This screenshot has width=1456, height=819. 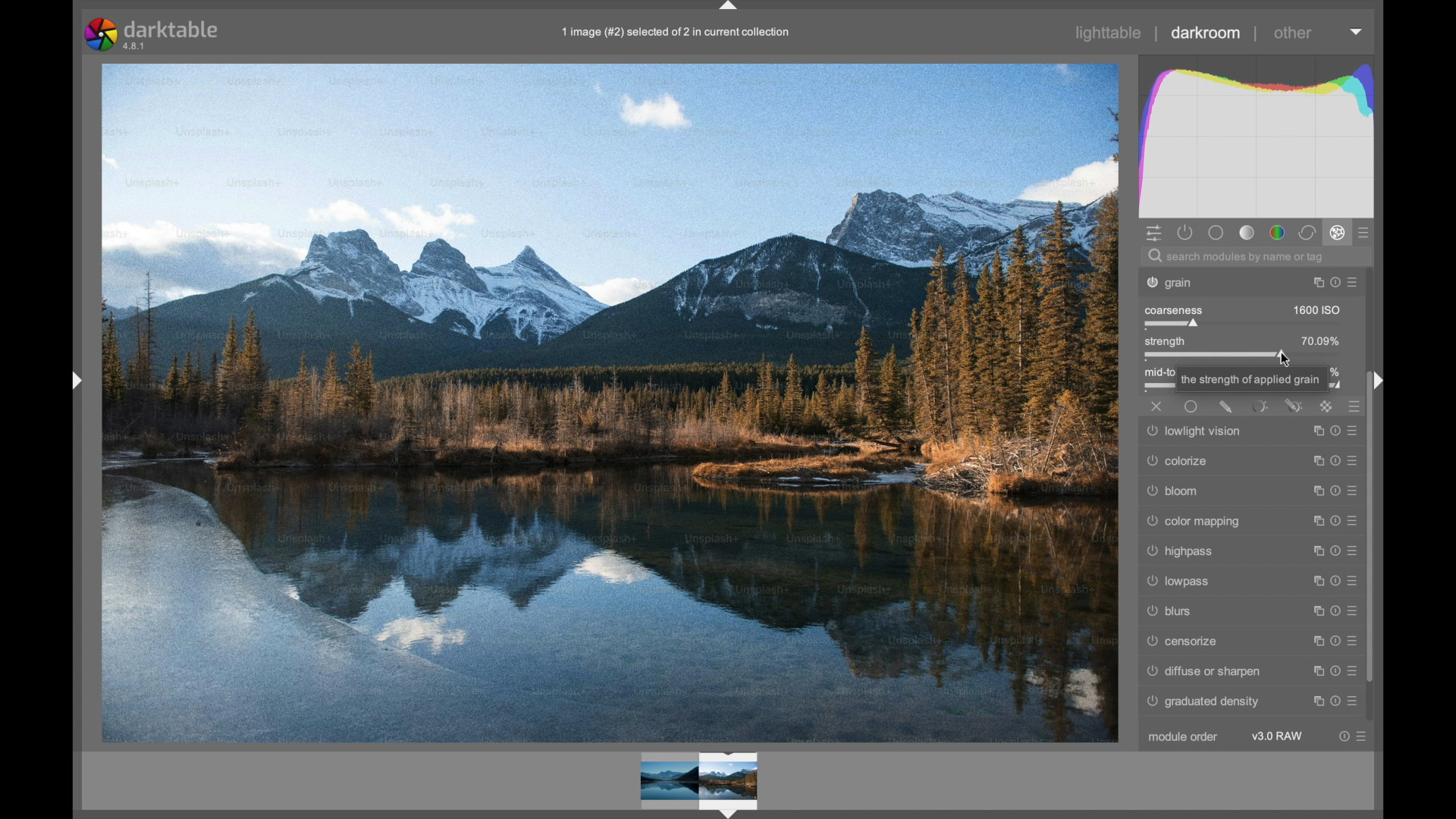 I want to click on 1 image (#2) selected of 2 in current collection, so click(x=682, y=37).